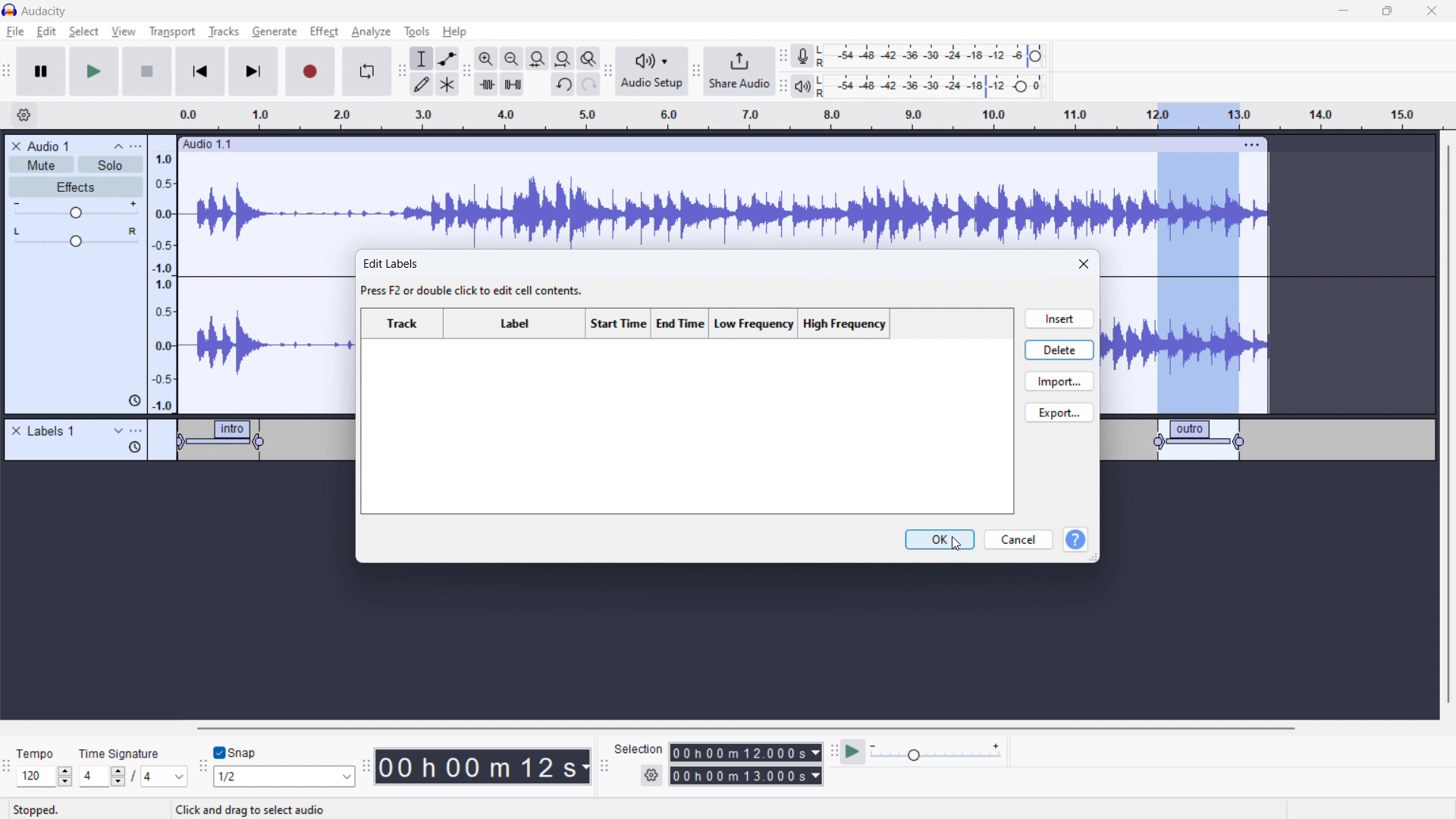 The width and height of the screenshot is (1456, 819). I want to click on track options, so click(1254, 143).